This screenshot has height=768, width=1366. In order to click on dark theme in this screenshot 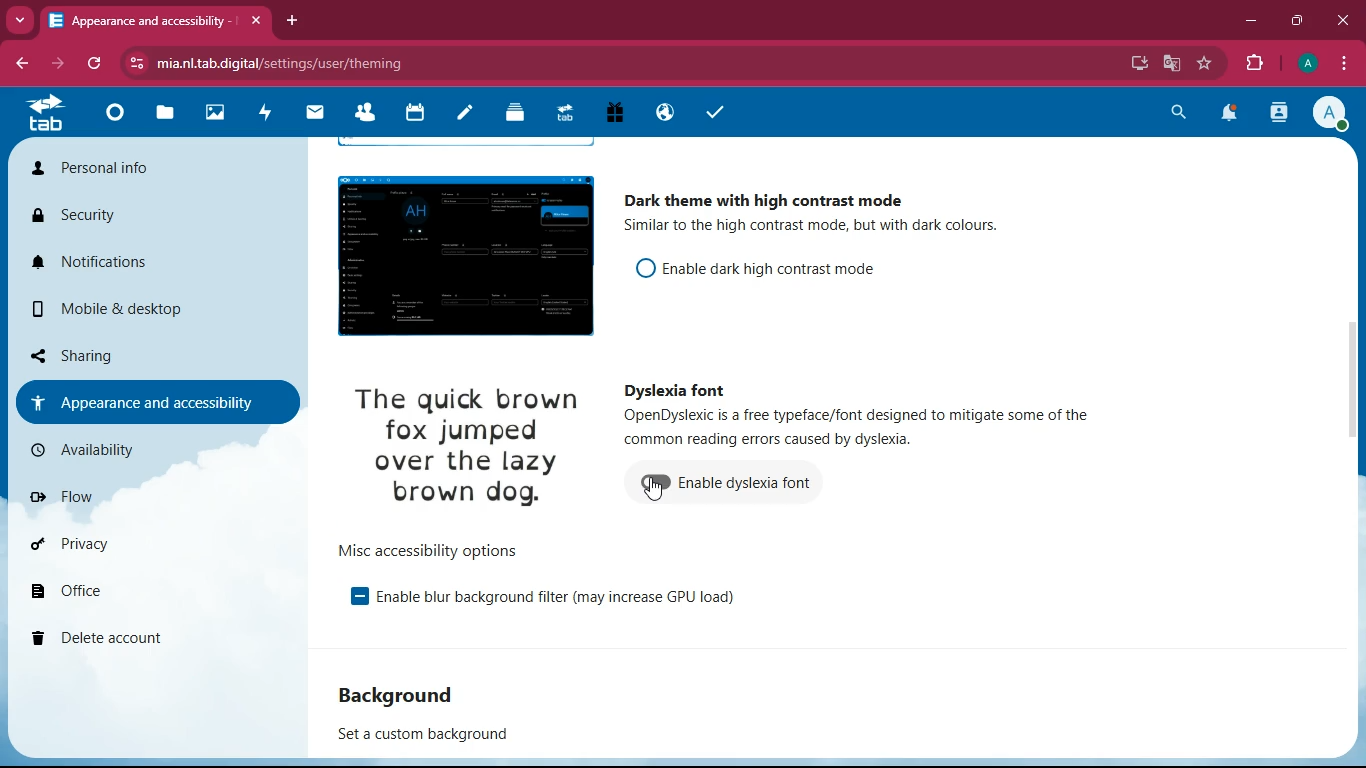, I will do `click(783, 197)`.